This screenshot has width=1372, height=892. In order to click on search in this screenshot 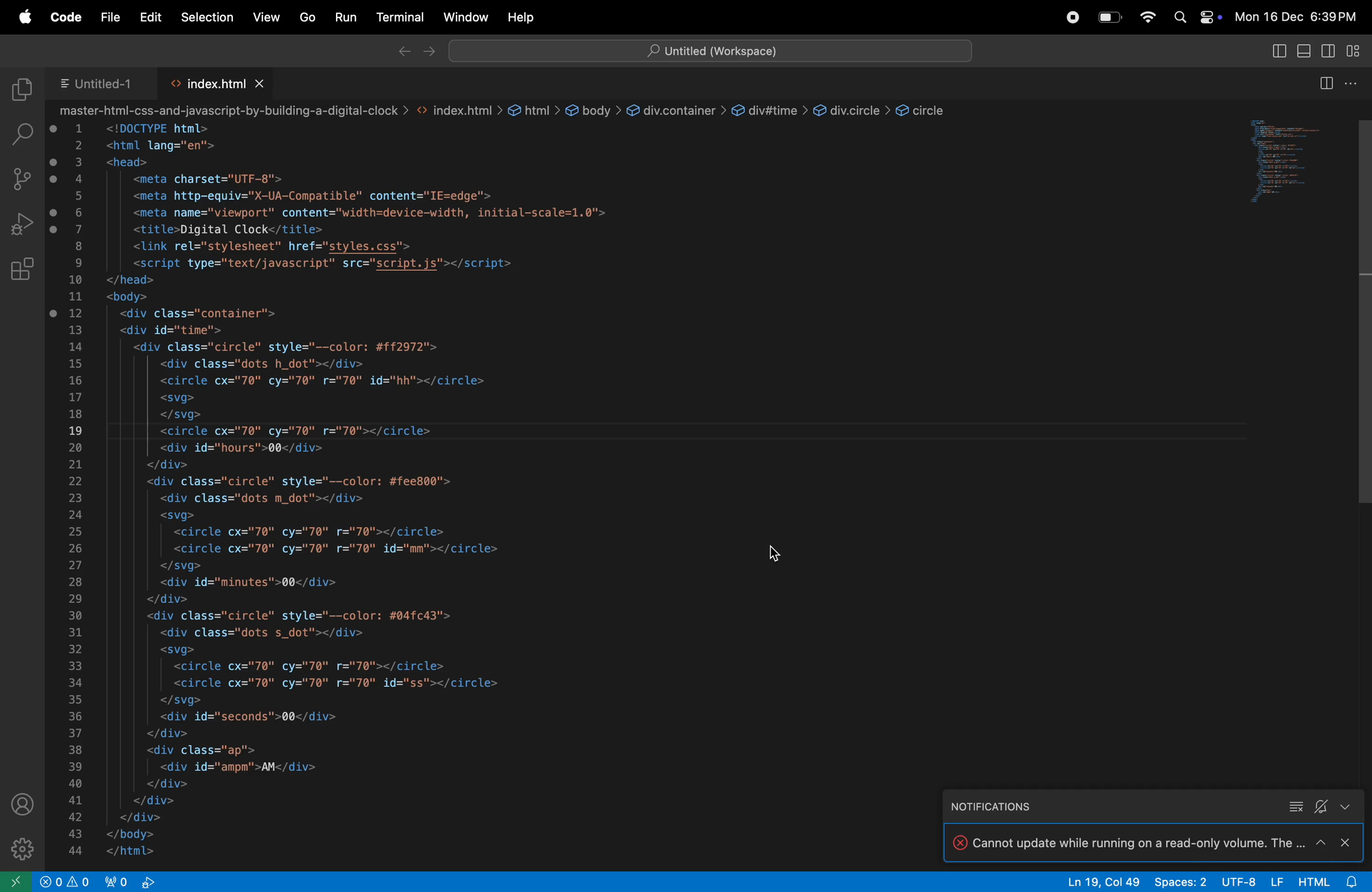, I will do `click(25, 133)`.